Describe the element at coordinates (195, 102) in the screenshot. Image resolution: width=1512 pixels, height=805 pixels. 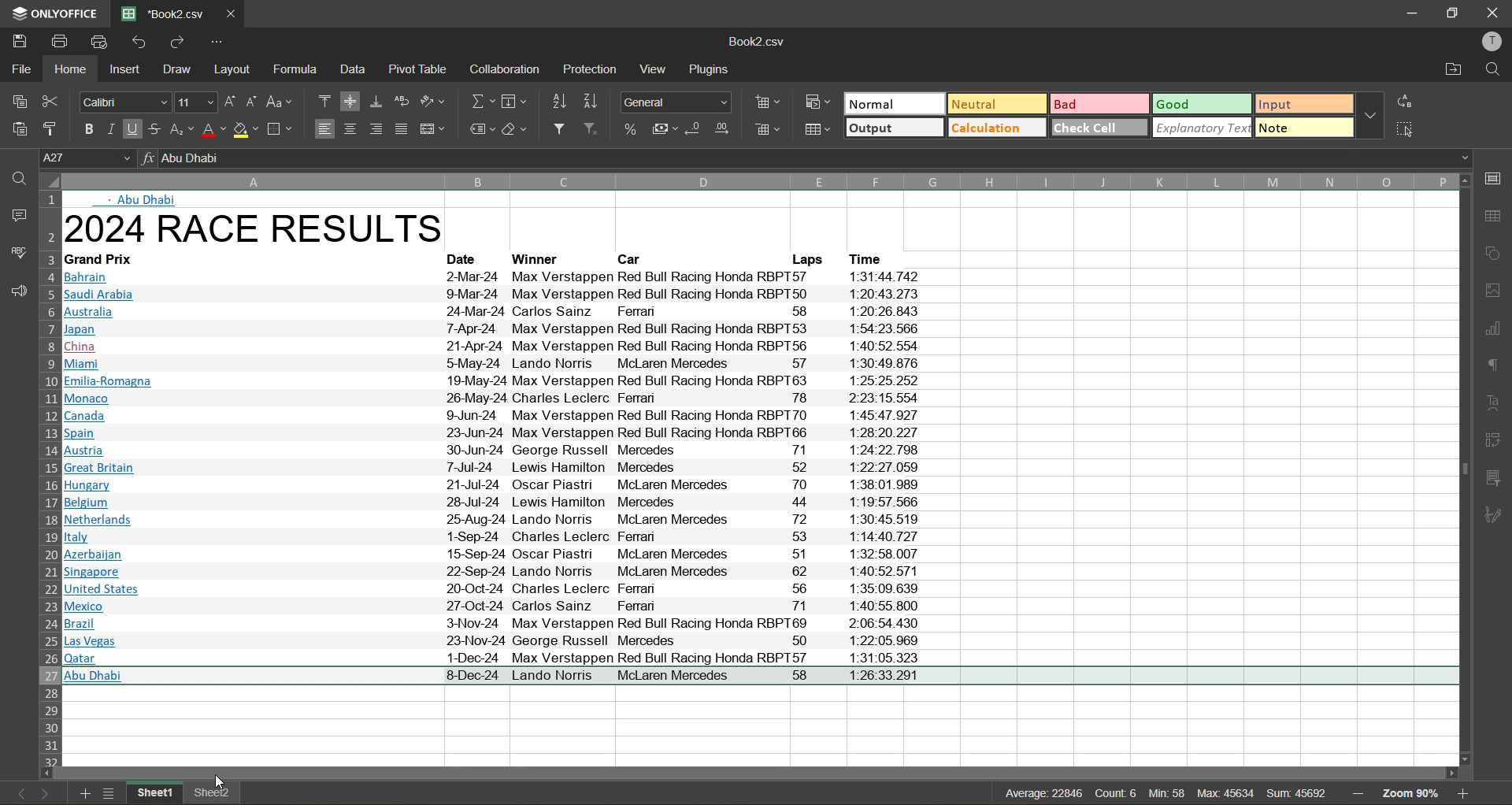
I see `font size` at that location.